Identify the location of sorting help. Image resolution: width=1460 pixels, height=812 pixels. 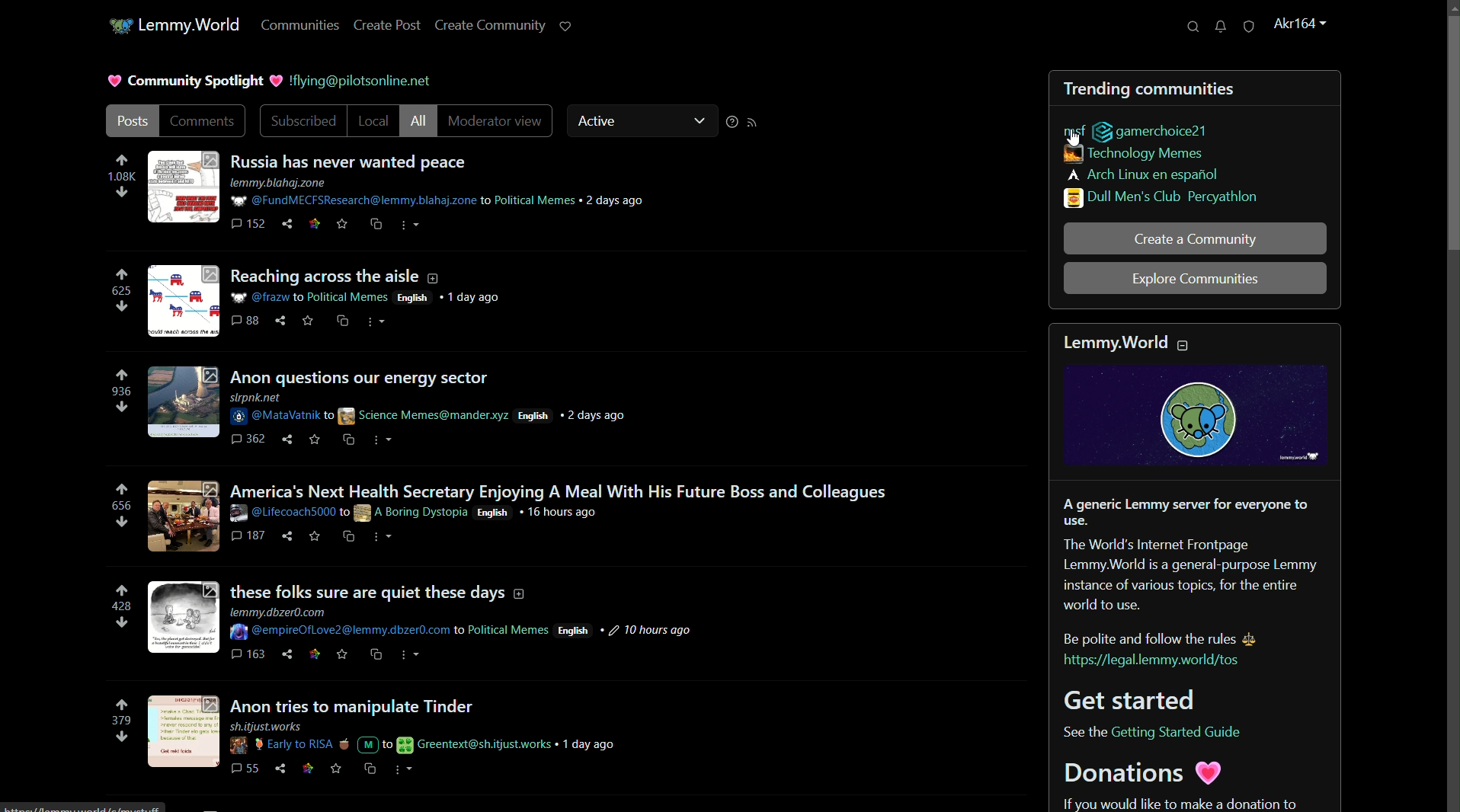
(729, 123).